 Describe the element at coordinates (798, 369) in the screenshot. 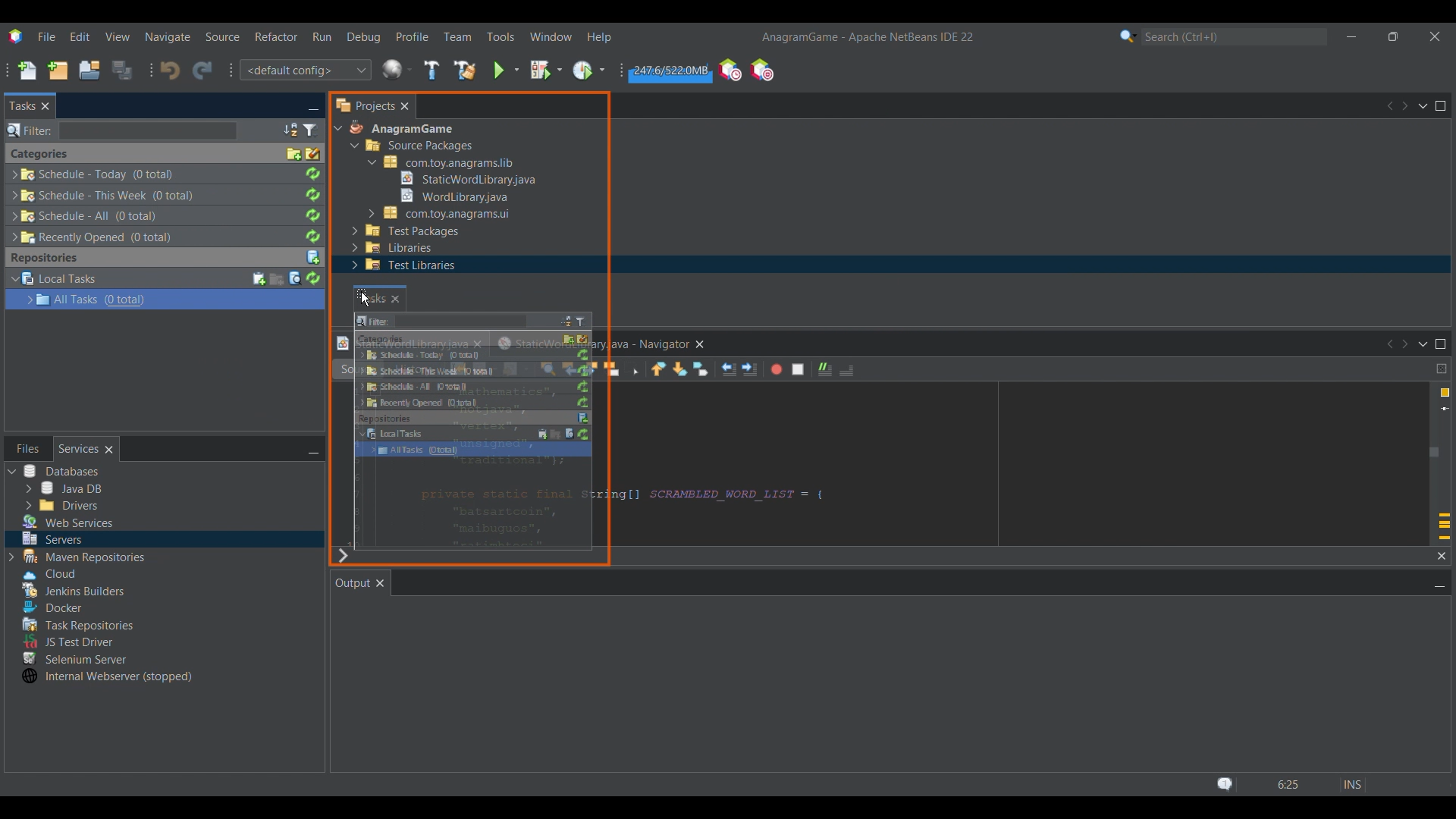

I see `Stop macro recording` at that location.